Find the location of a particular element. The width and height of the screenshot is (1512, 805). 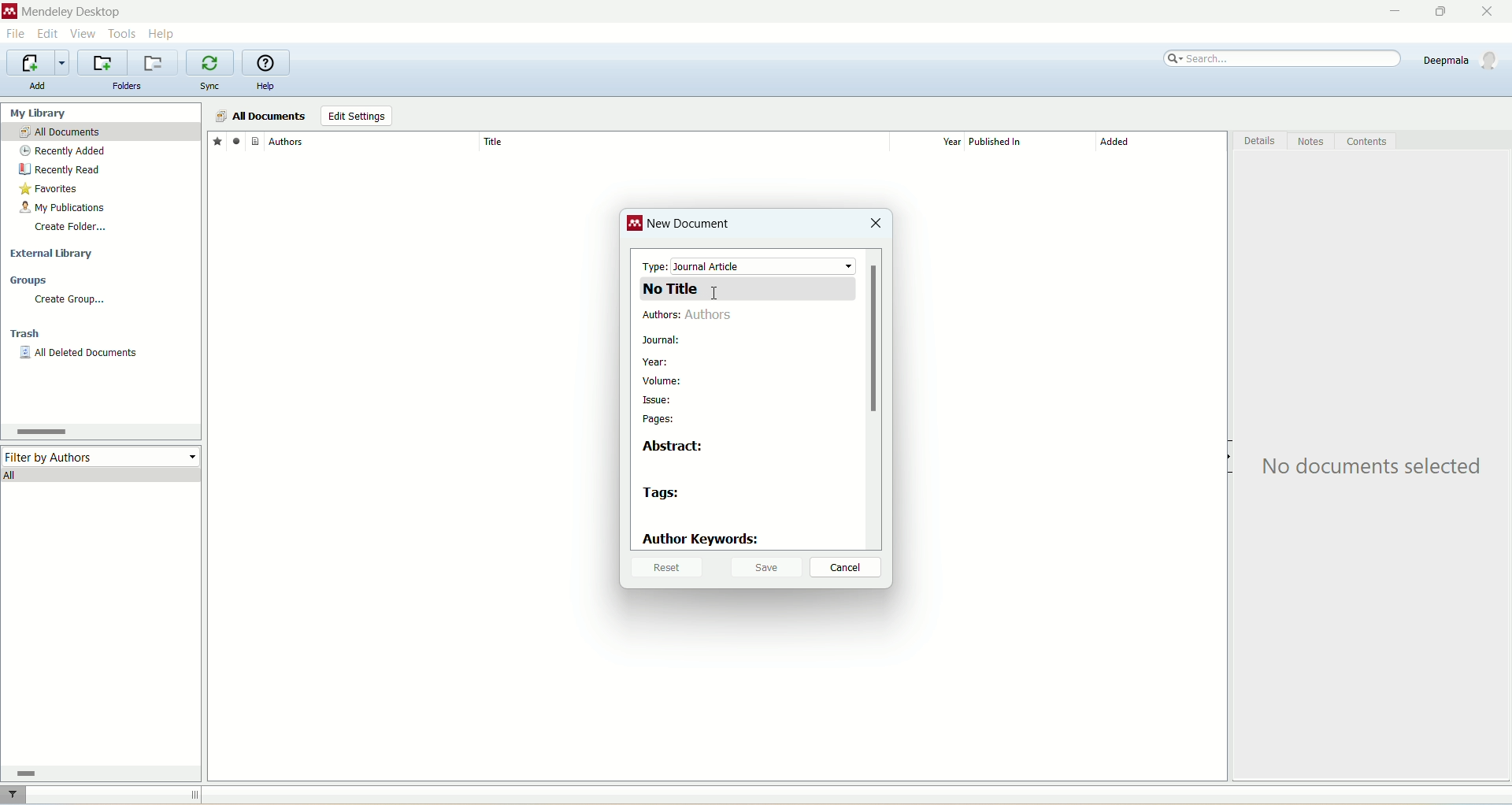

my publication is located at coordinates (65, 209).